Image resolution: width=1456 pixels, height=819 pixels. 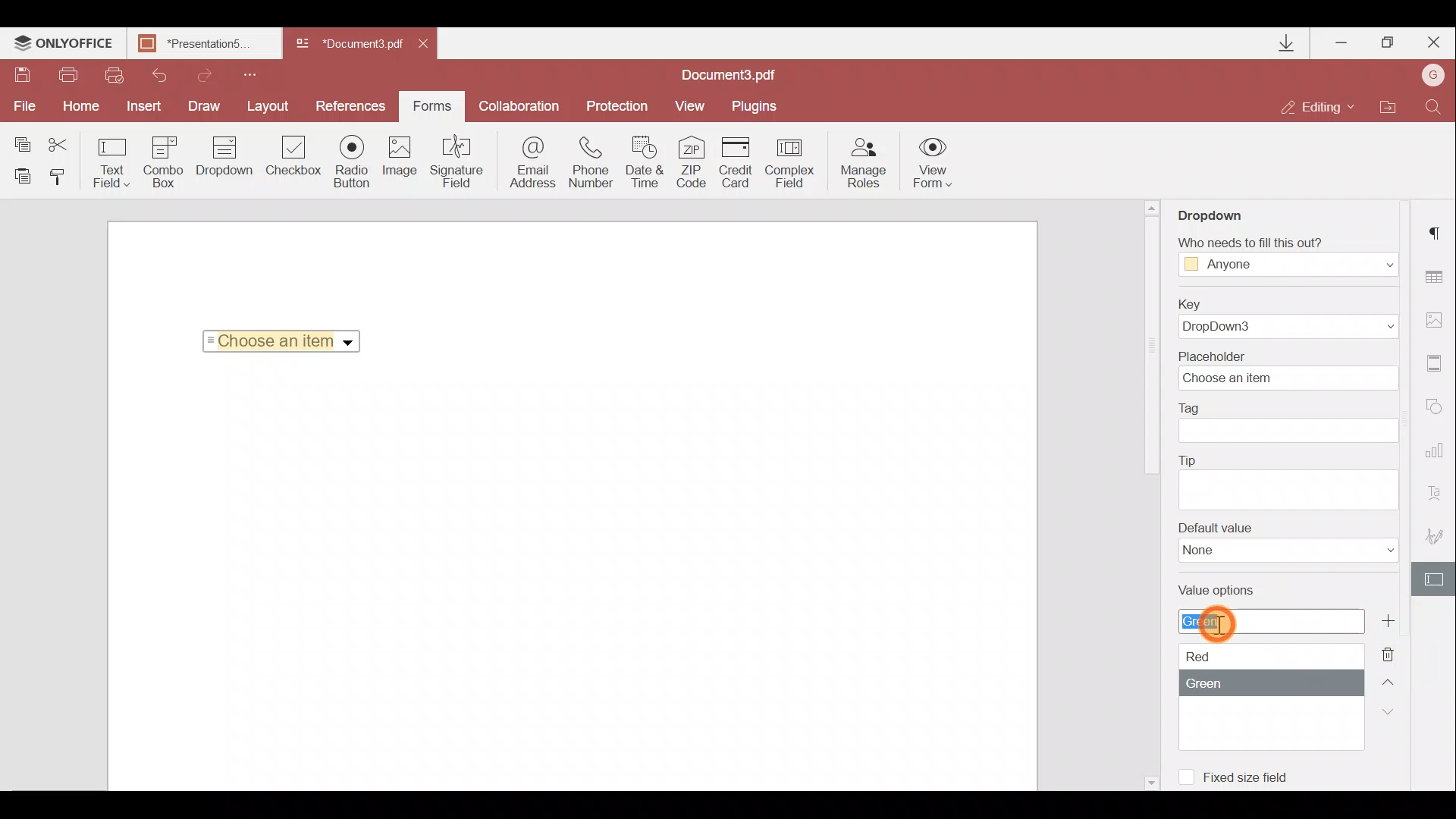 I want to click on Insert, so click(x=147, y=106).